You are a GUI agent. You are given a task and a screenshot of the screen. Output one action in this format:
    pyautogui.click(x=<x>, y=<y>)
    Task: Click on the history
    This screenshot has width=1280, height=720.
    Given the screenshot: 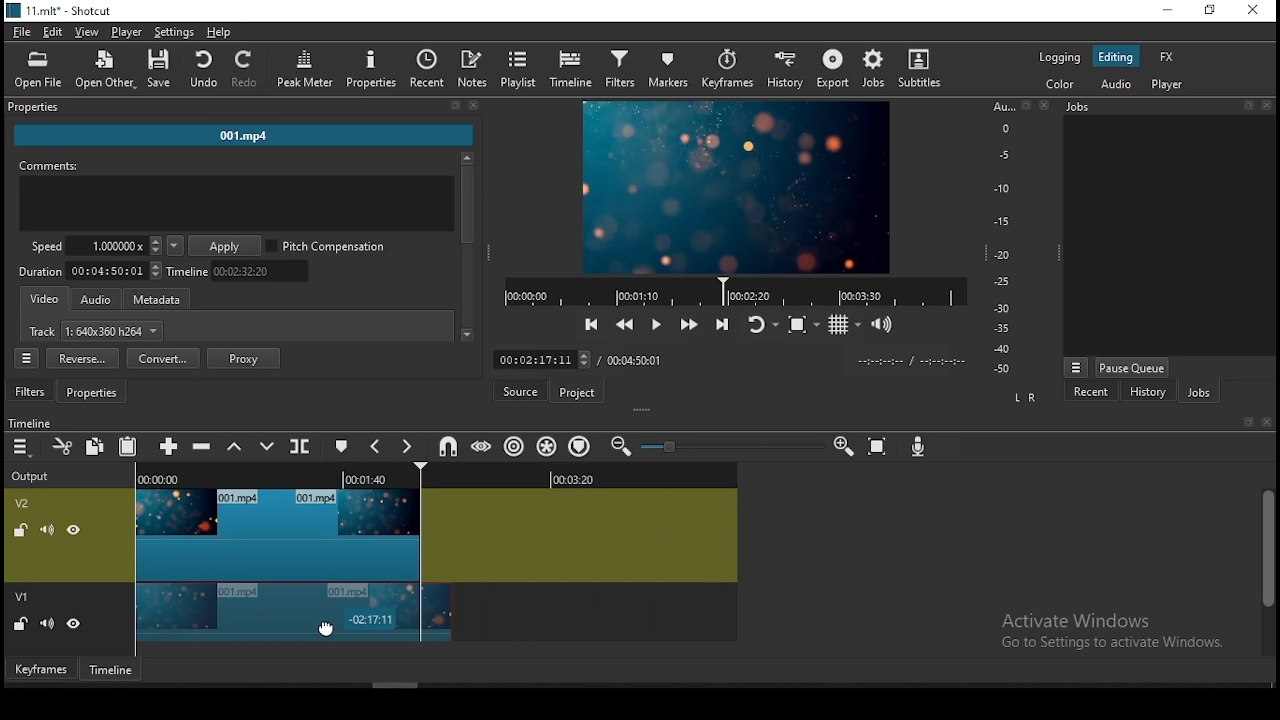 What is the action you would take?
    pyautogui.click(x=790, y=70)
    